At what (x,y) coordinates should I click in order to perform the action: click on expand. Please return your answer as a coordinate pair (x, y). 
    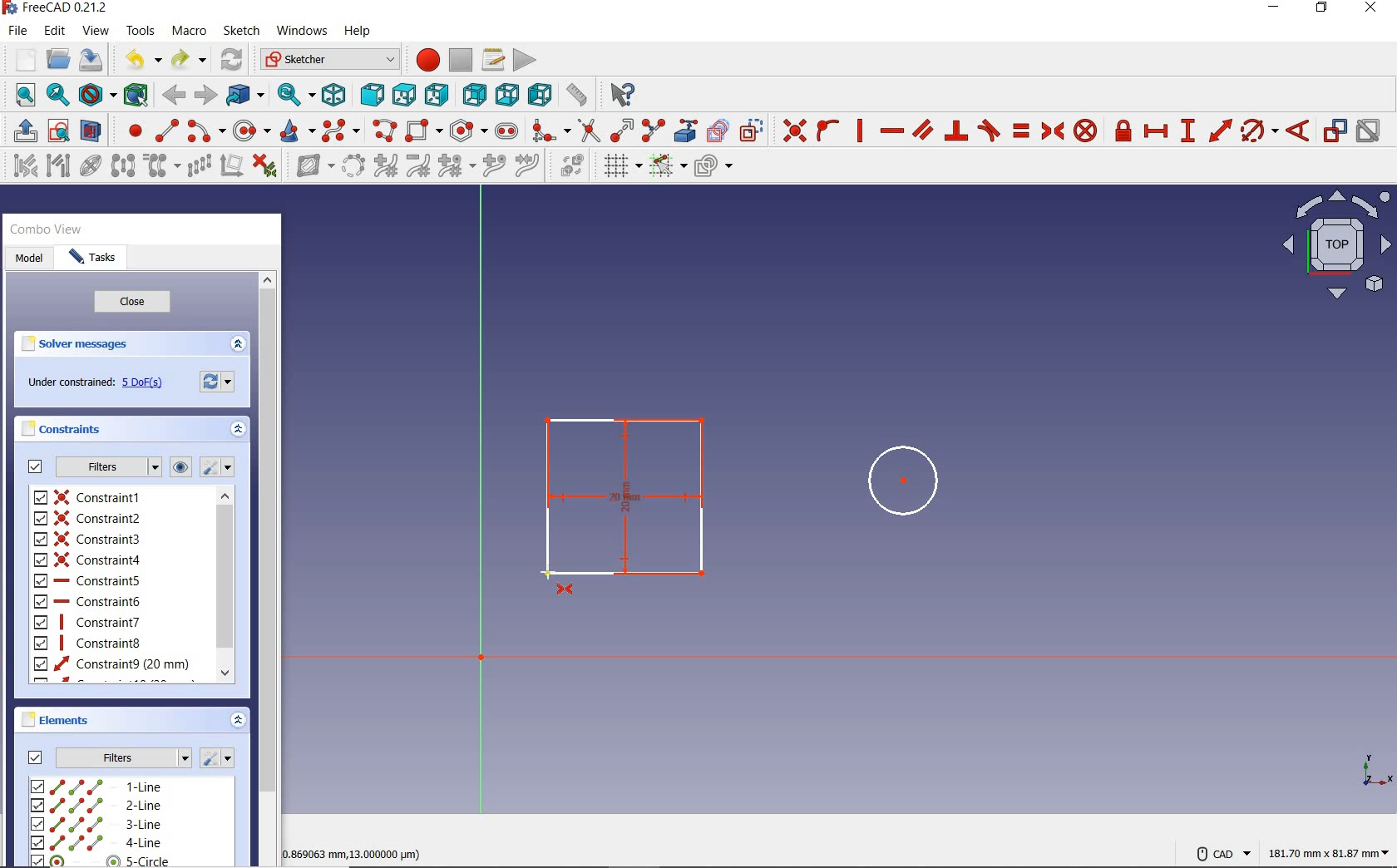
    Looking at the image, I should click on (239, 718).